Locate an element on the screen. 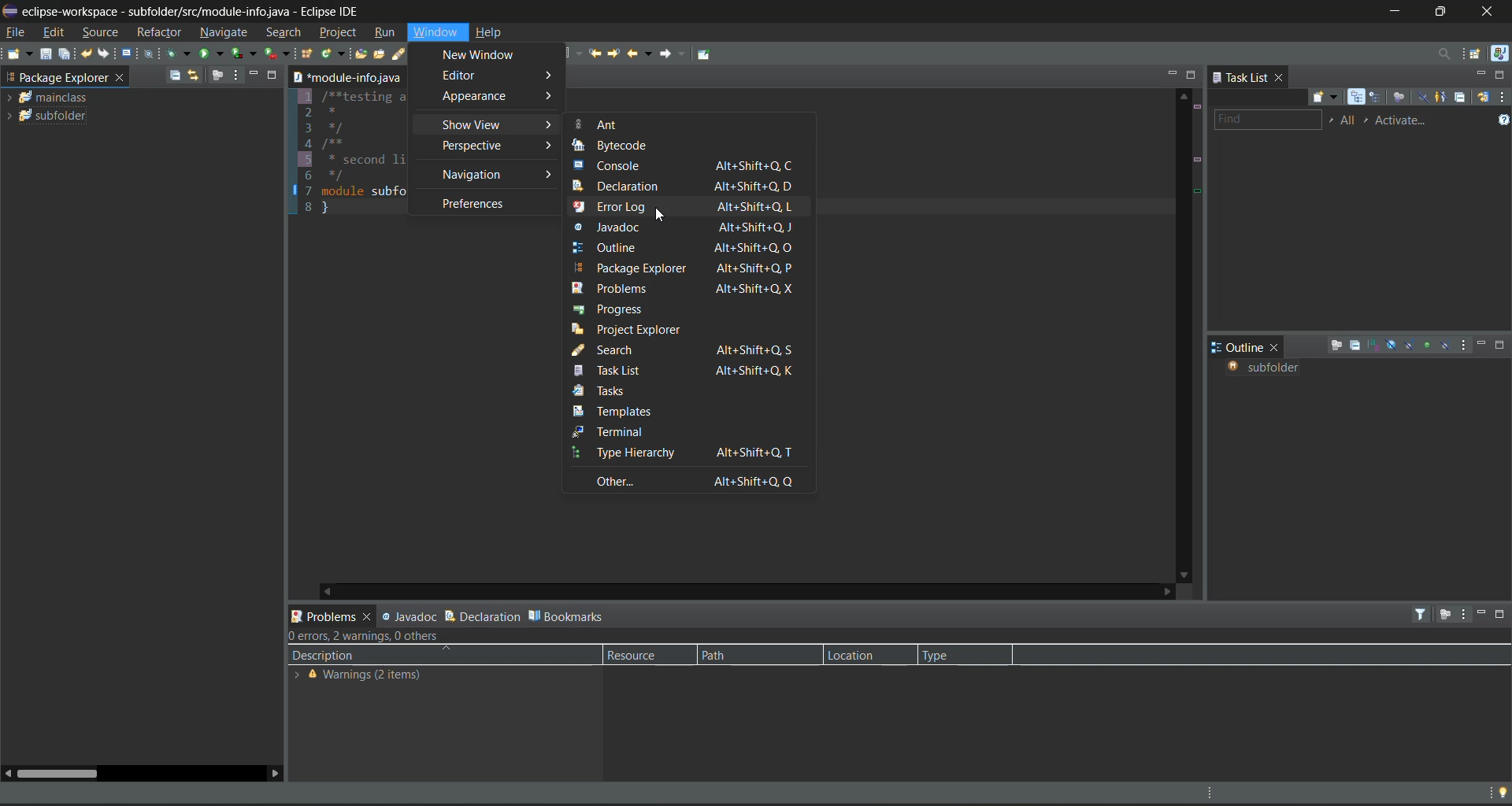 The height and width of the screenshot is (806, 1512). file is located at coordinates (17, 31).